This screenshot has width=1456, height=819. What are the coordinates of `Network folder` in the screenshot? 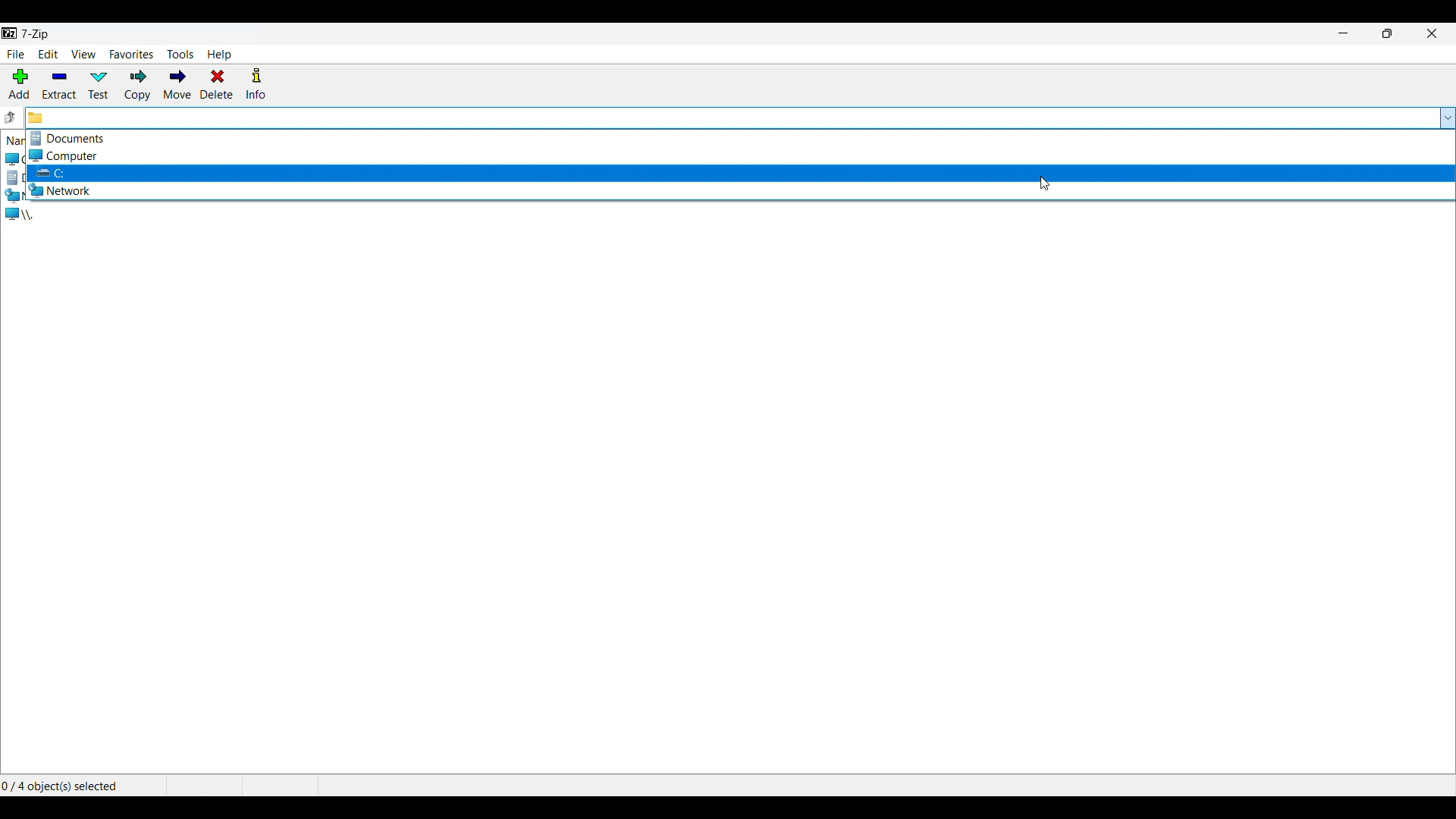 It's located at (739, 190).